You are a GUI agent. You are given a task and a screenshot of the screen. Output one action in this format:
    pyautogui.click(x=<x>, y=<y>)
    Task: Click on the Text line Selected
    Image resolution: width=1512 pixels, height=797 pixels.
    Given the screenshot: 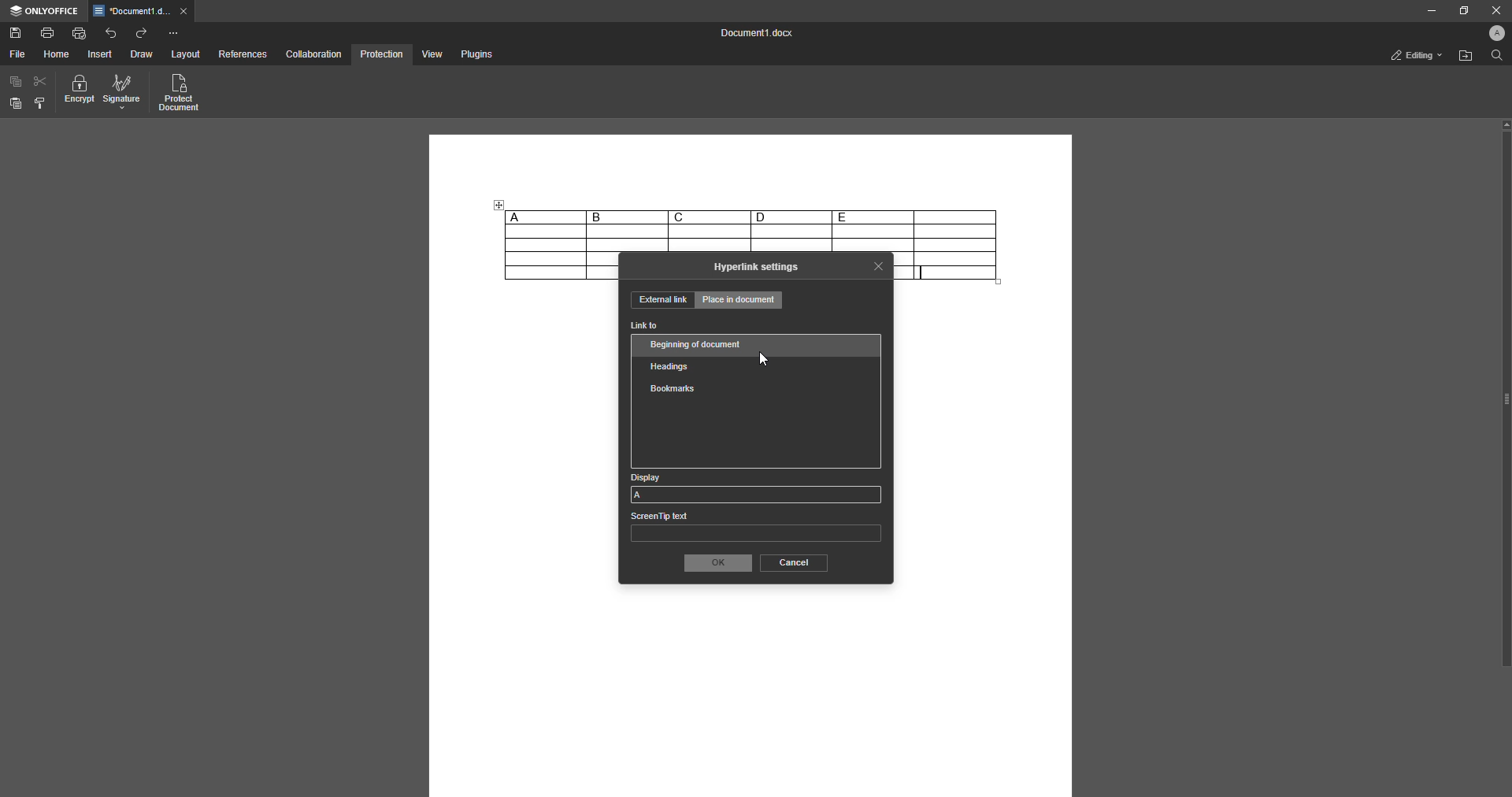 What is the action you would take?
    pyautogui.click(x=923, y=272)
    